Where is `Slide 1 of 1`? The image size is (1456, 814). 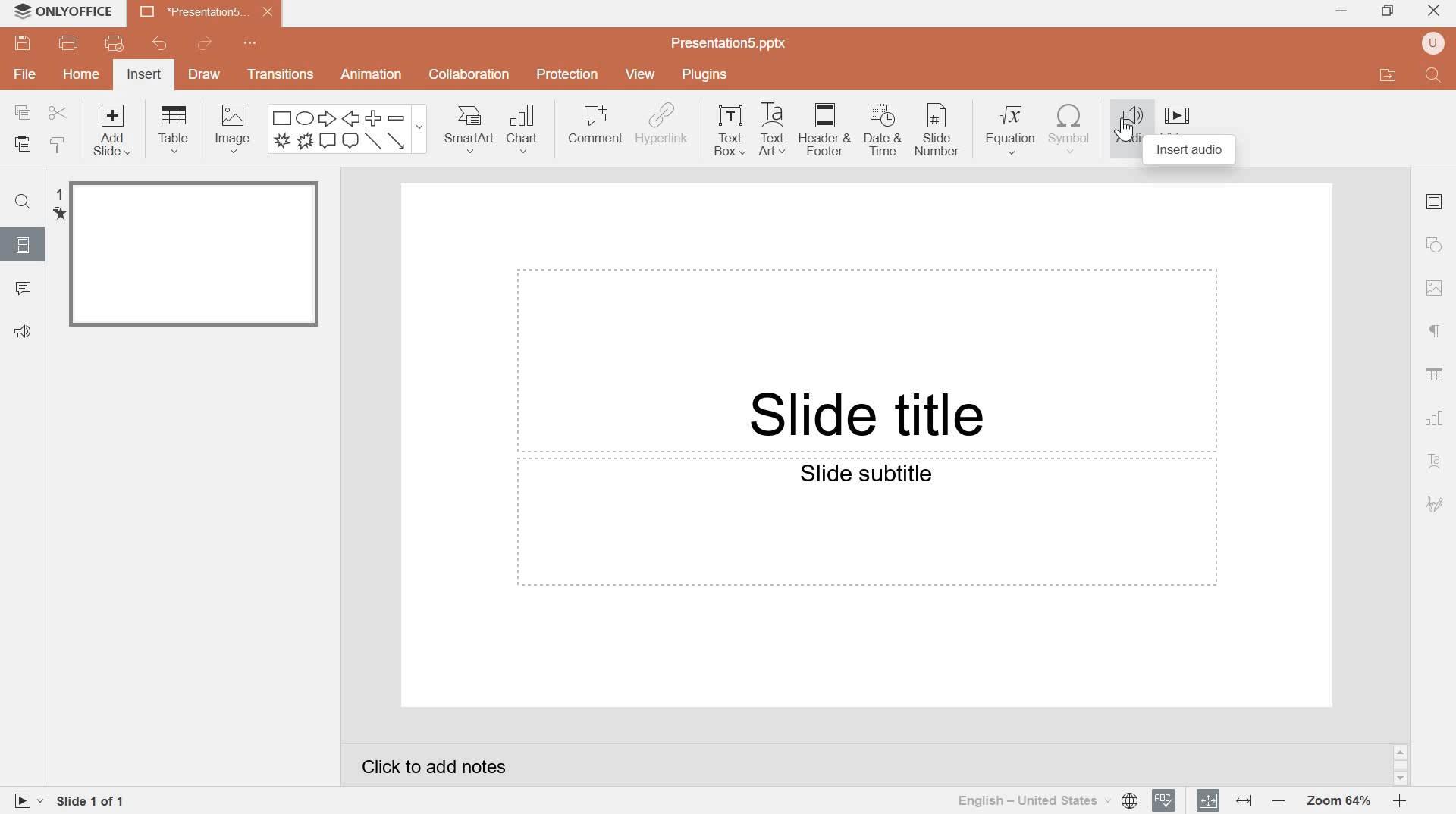
Slide 1 of 1 is located at coordinates (93, 803).